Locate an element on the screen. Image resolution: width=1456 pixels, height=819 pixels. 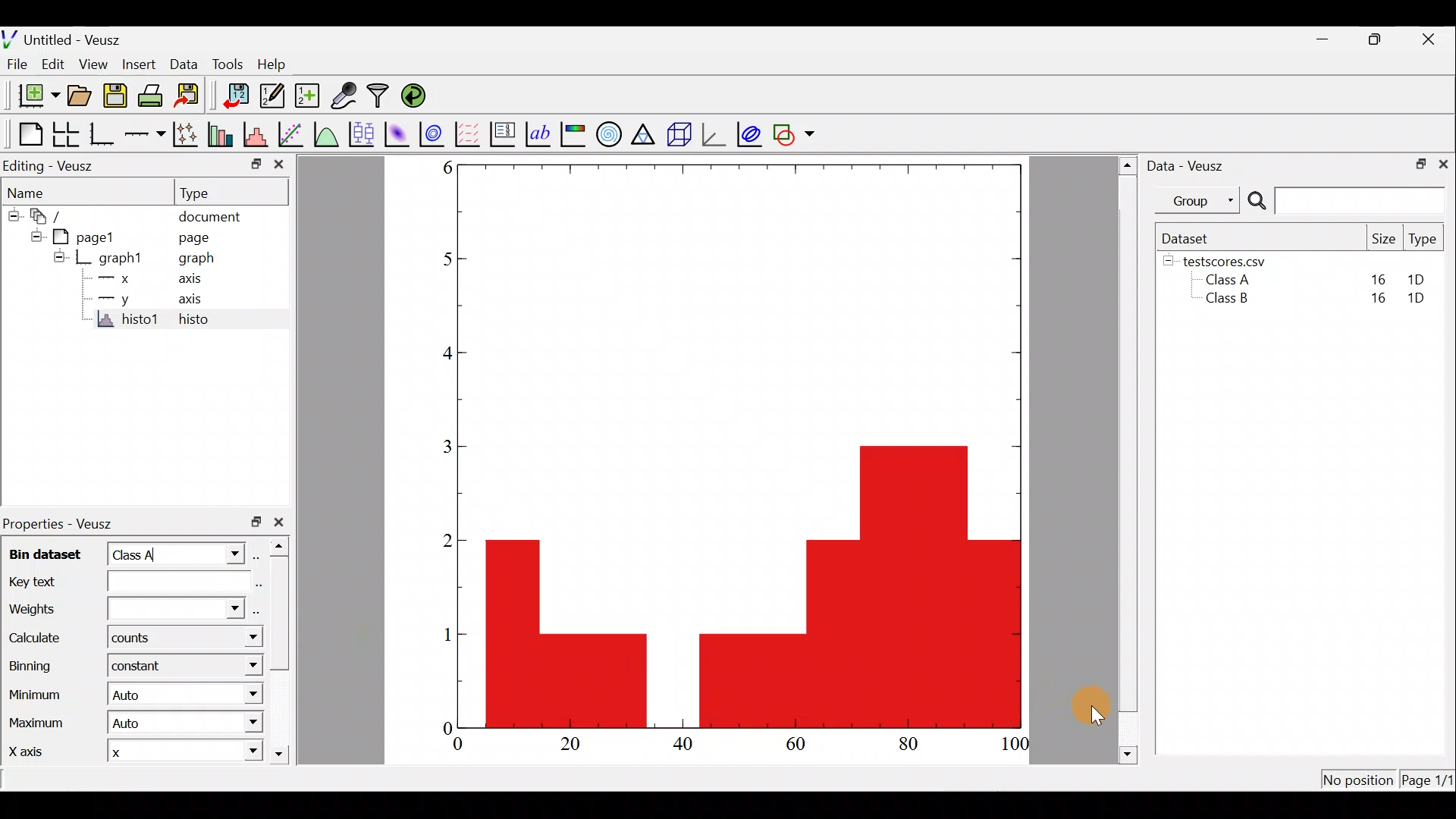
Group is located at coordinates (1200, 200).